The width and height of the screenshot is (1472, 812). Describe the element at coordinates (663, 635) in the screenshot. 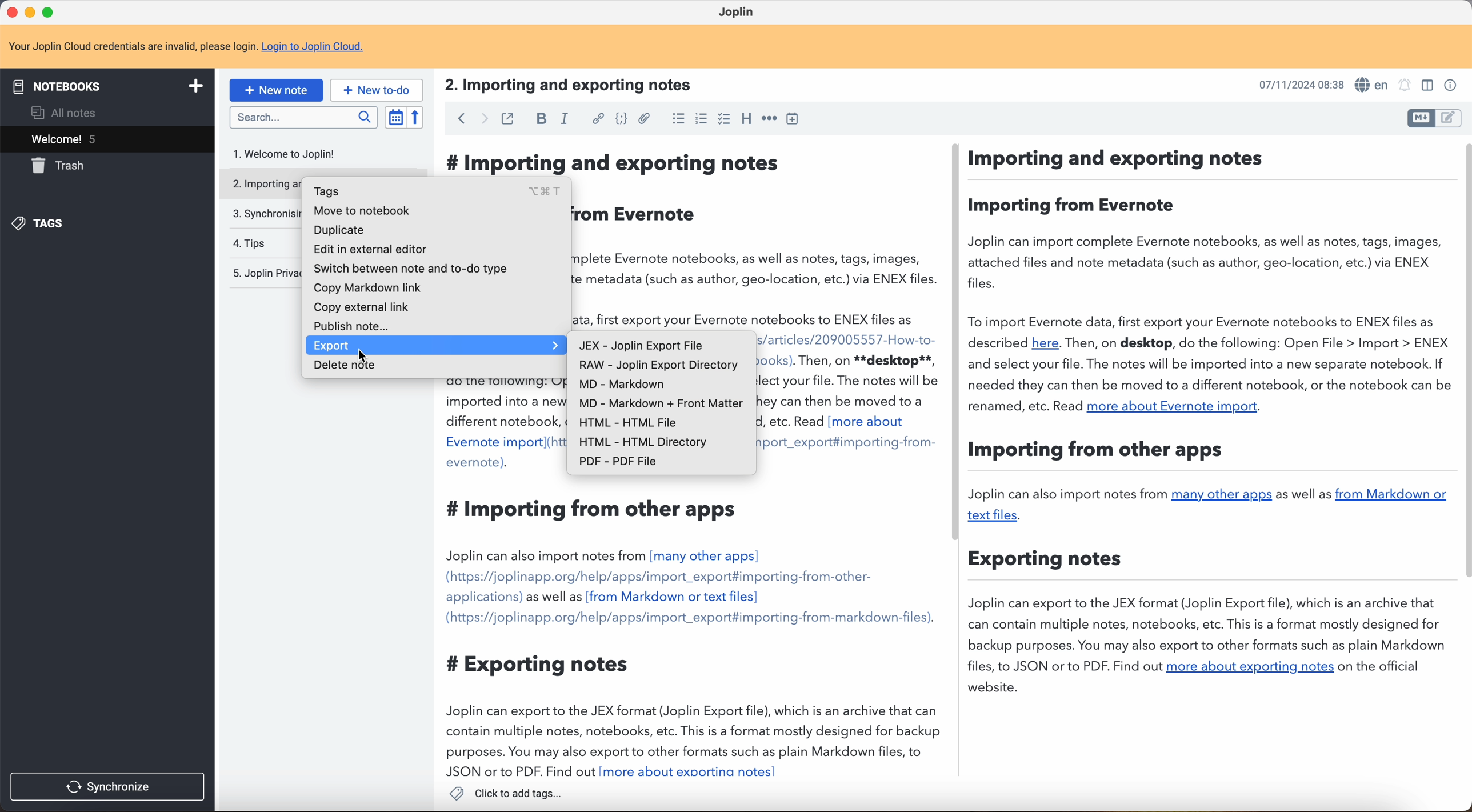

I see `Importing from other apps. Joplin can also import notes from many other apps...` at that location.